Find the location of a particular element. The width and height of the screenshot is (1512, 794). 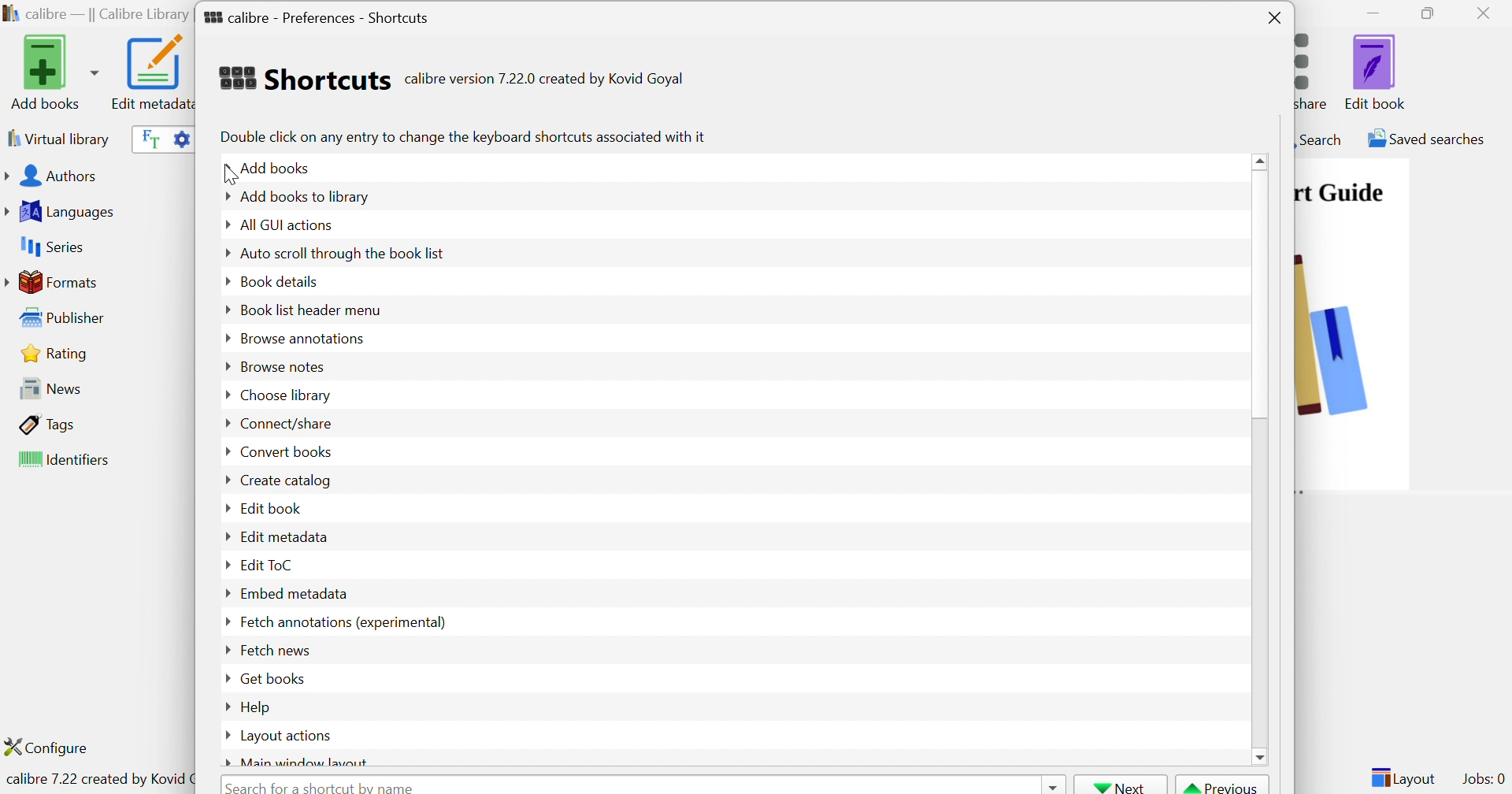

Edit ToC is located at coordinates (269, 564).